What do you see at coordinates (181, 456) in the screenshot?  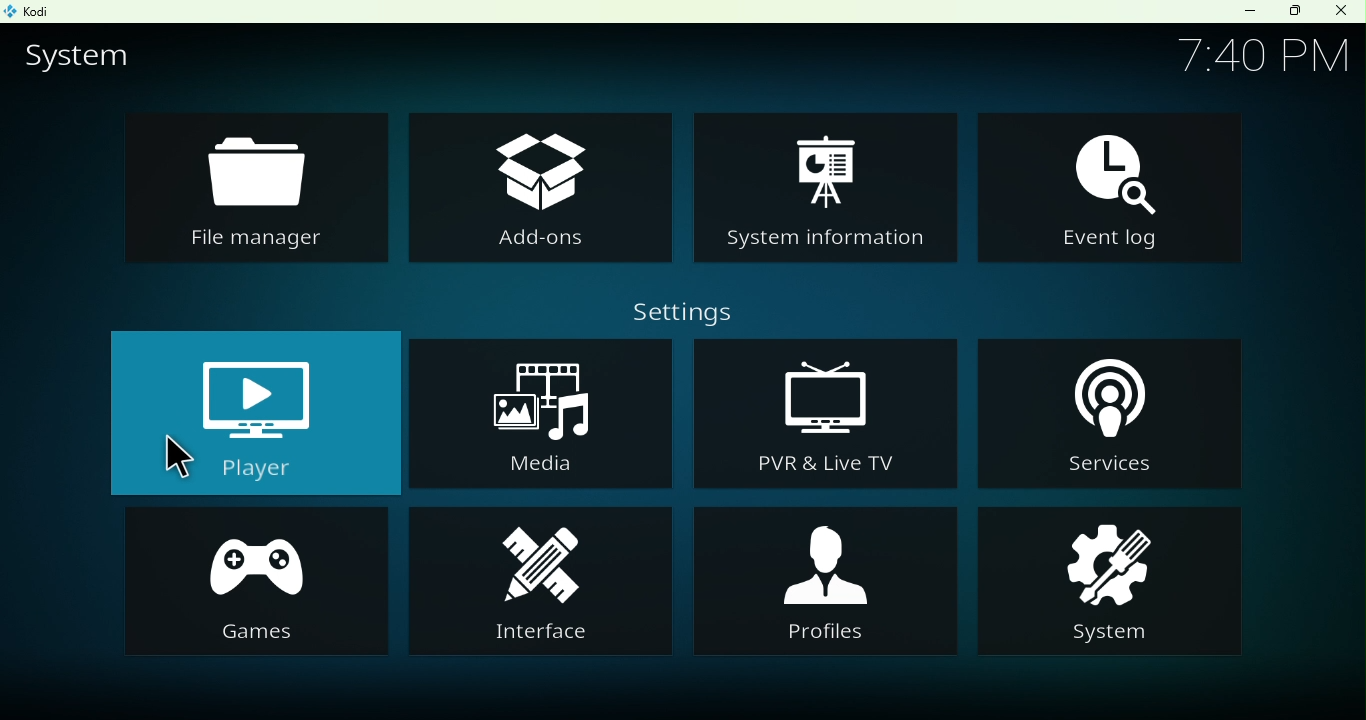 I see `cursor` at bounding box center [181, 456].